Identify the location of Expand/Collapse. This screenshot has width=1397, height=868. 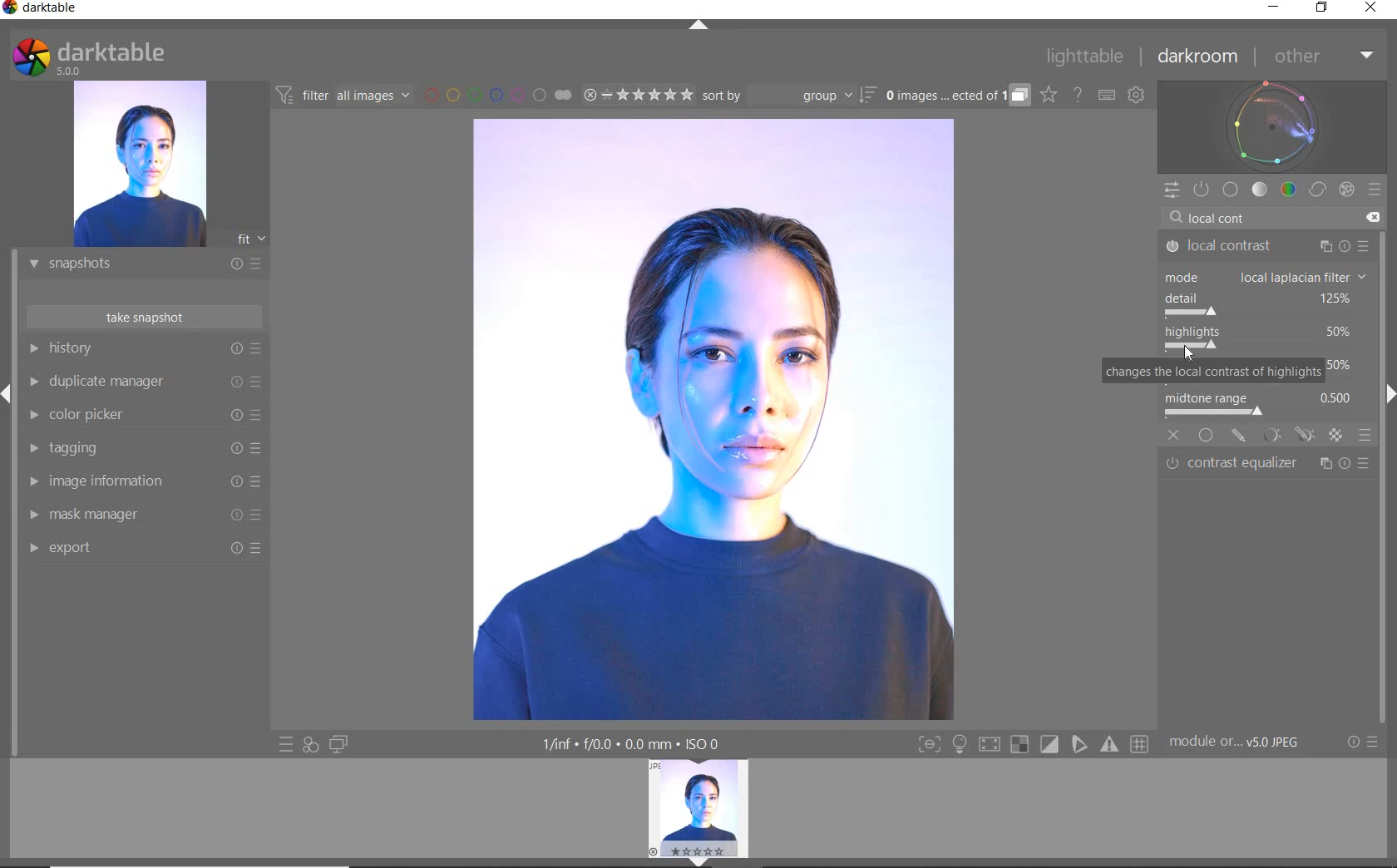
(8, 394).